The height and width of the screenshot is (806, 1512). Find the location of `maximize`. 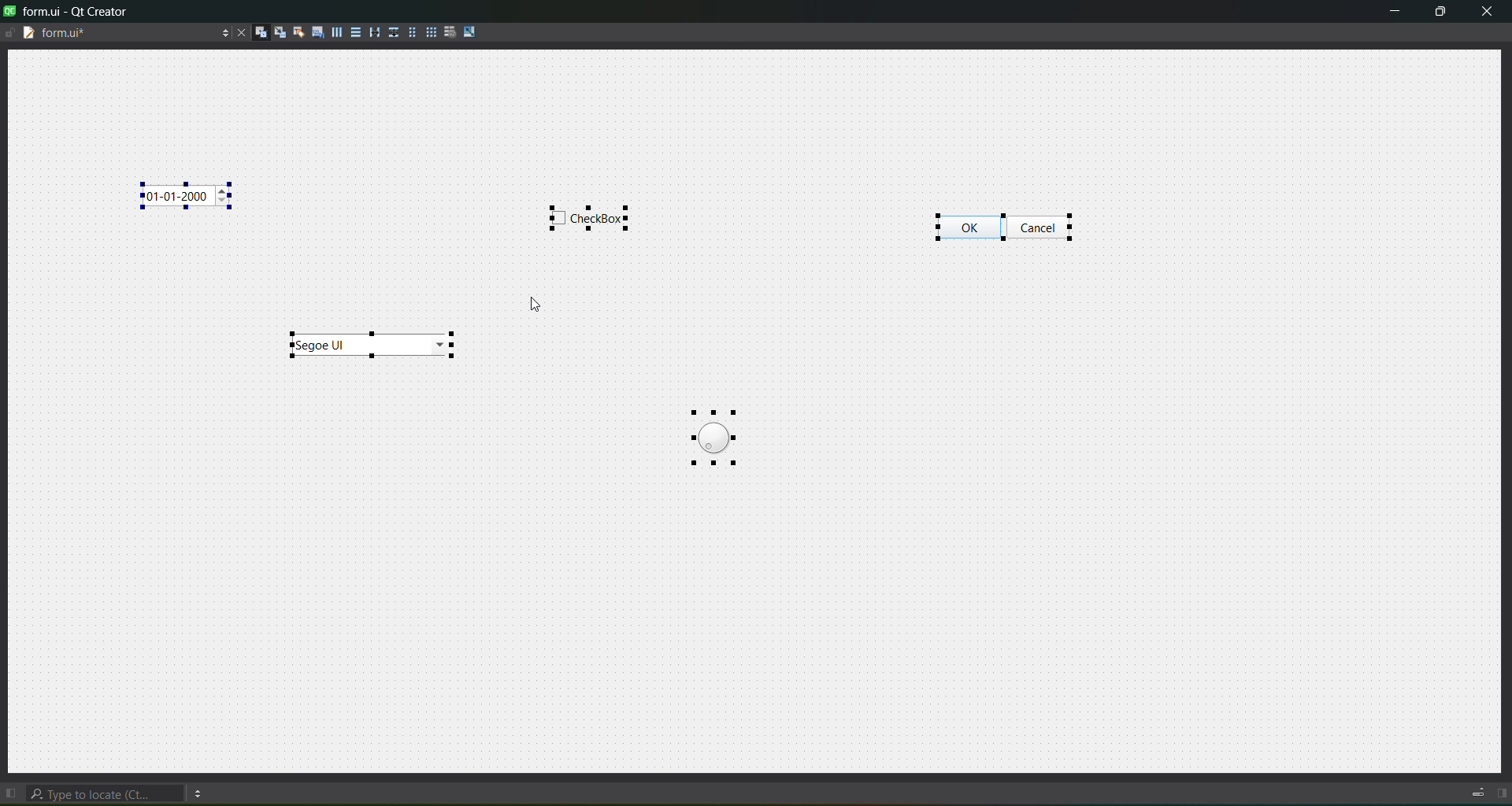

maximize is located at coordinates (1438, 12).